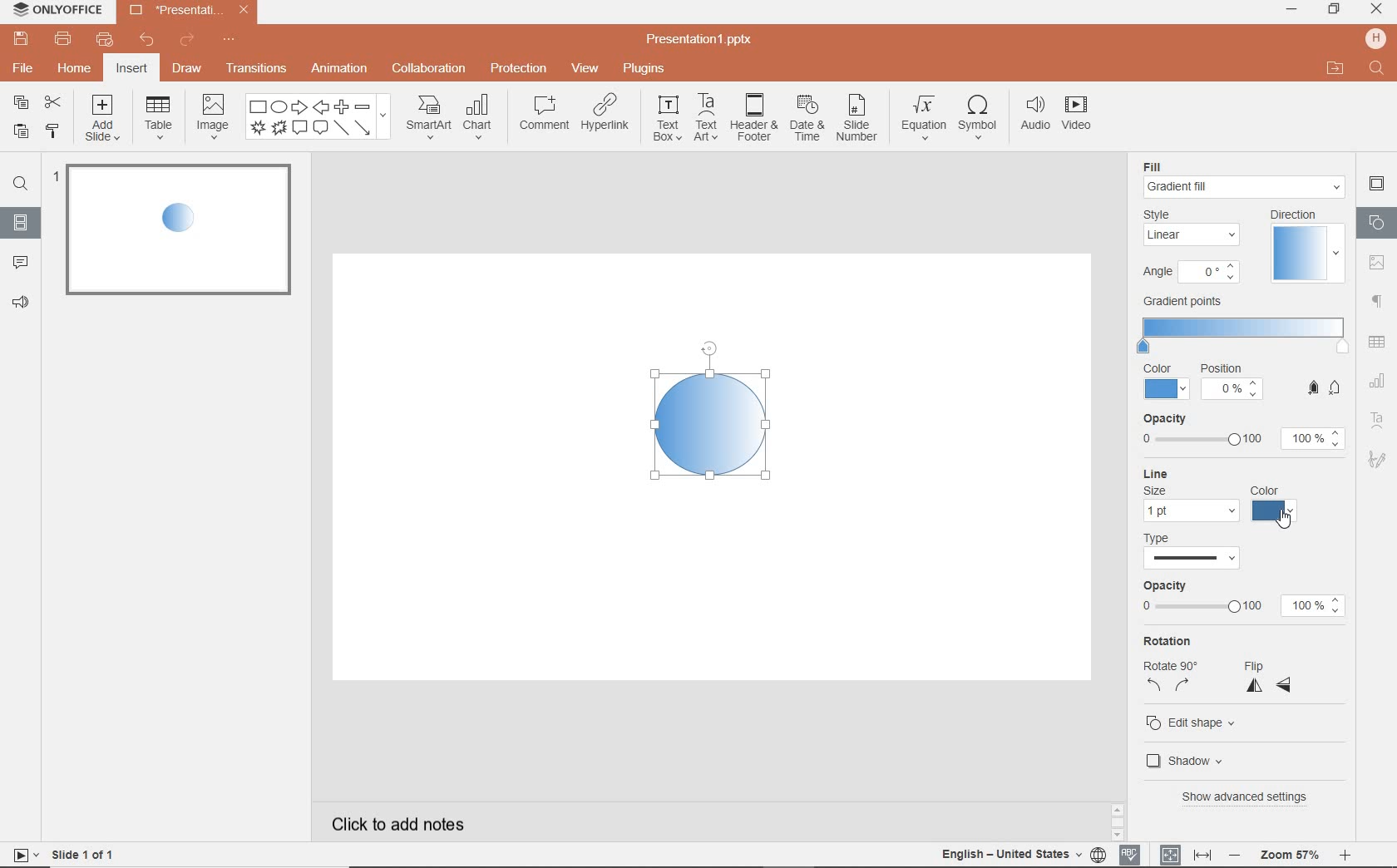 This screenshot has width=1397, height=868. I want to click on text input, so click(1377, 70).